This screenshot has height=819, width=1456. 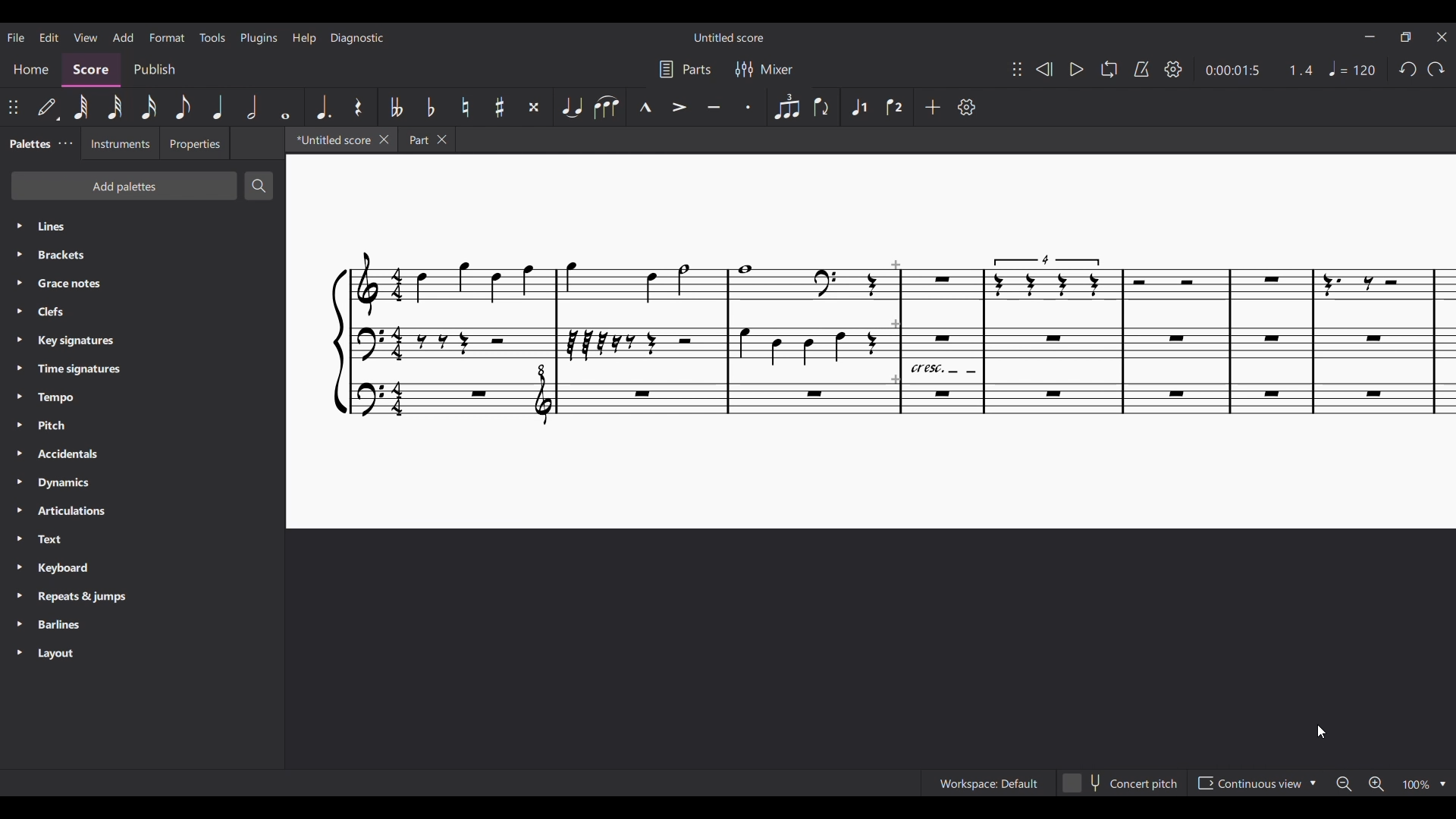 I want to click on Expand respective palette, so click(x=18, y=440).